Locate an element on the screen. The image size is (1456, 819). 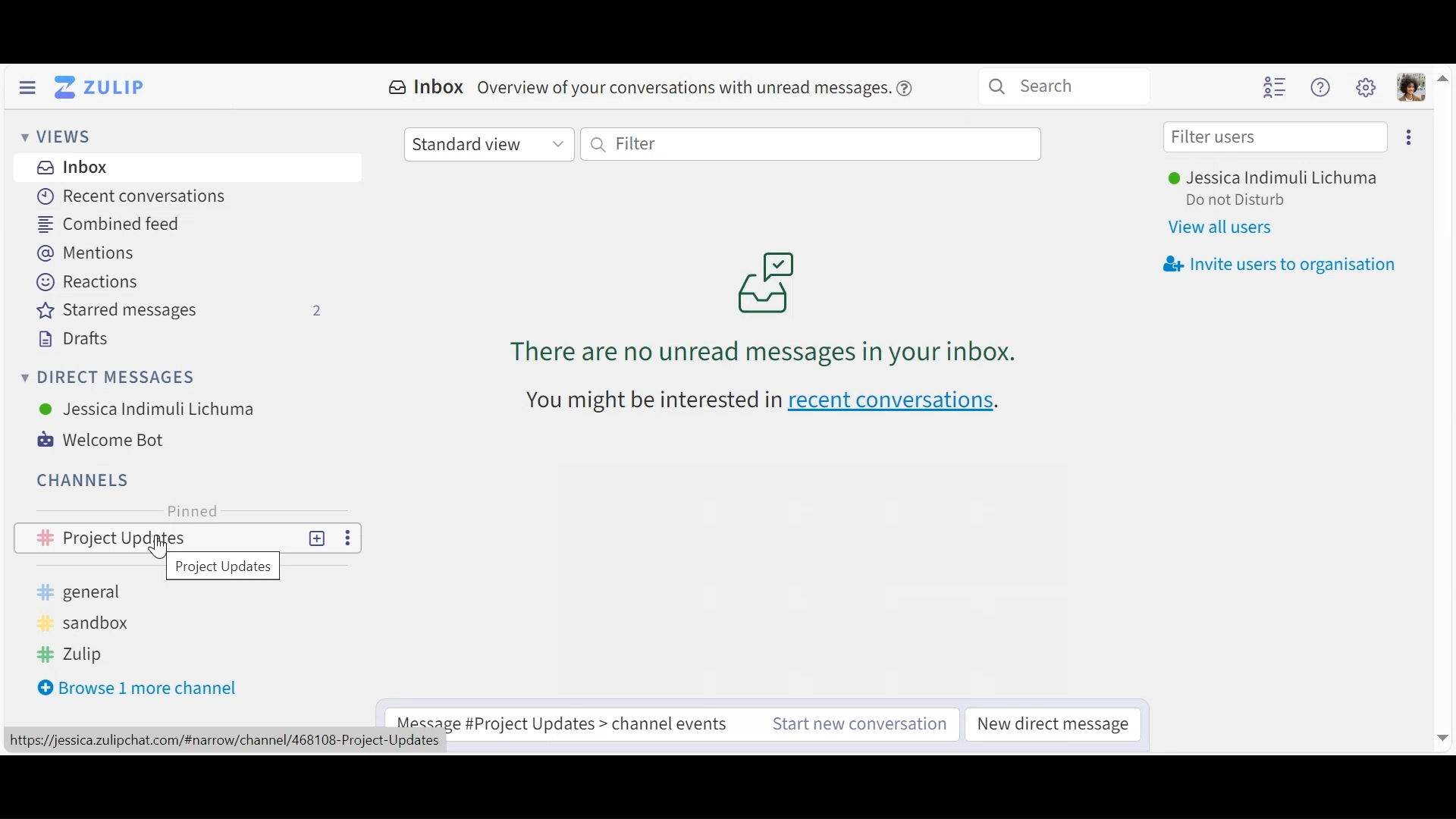
url is located at coordinates (230, 742).